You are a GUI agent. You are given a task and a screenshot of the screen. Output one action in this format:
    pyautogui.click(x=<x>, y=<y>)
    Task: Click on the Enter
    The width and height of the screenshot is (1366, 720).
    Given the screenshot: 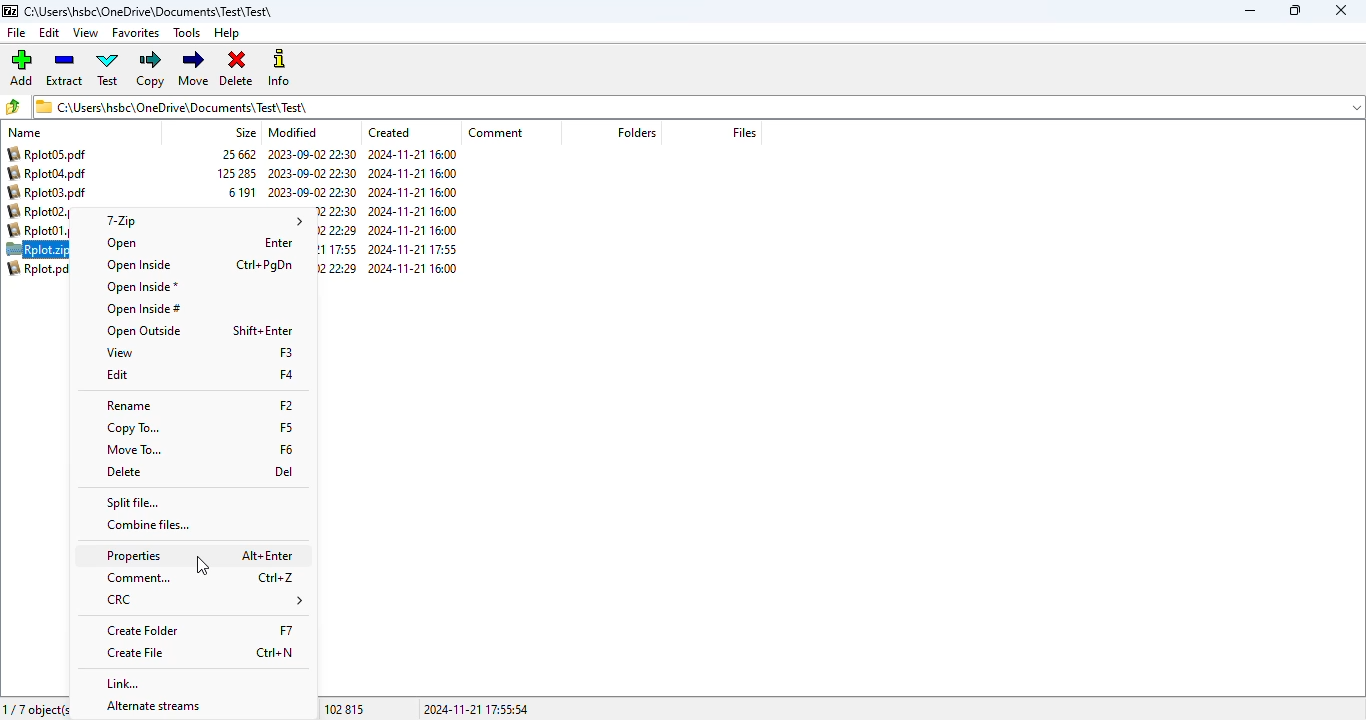 What is the action you would take?
    pyautogui.click(x=280, y=243)
    